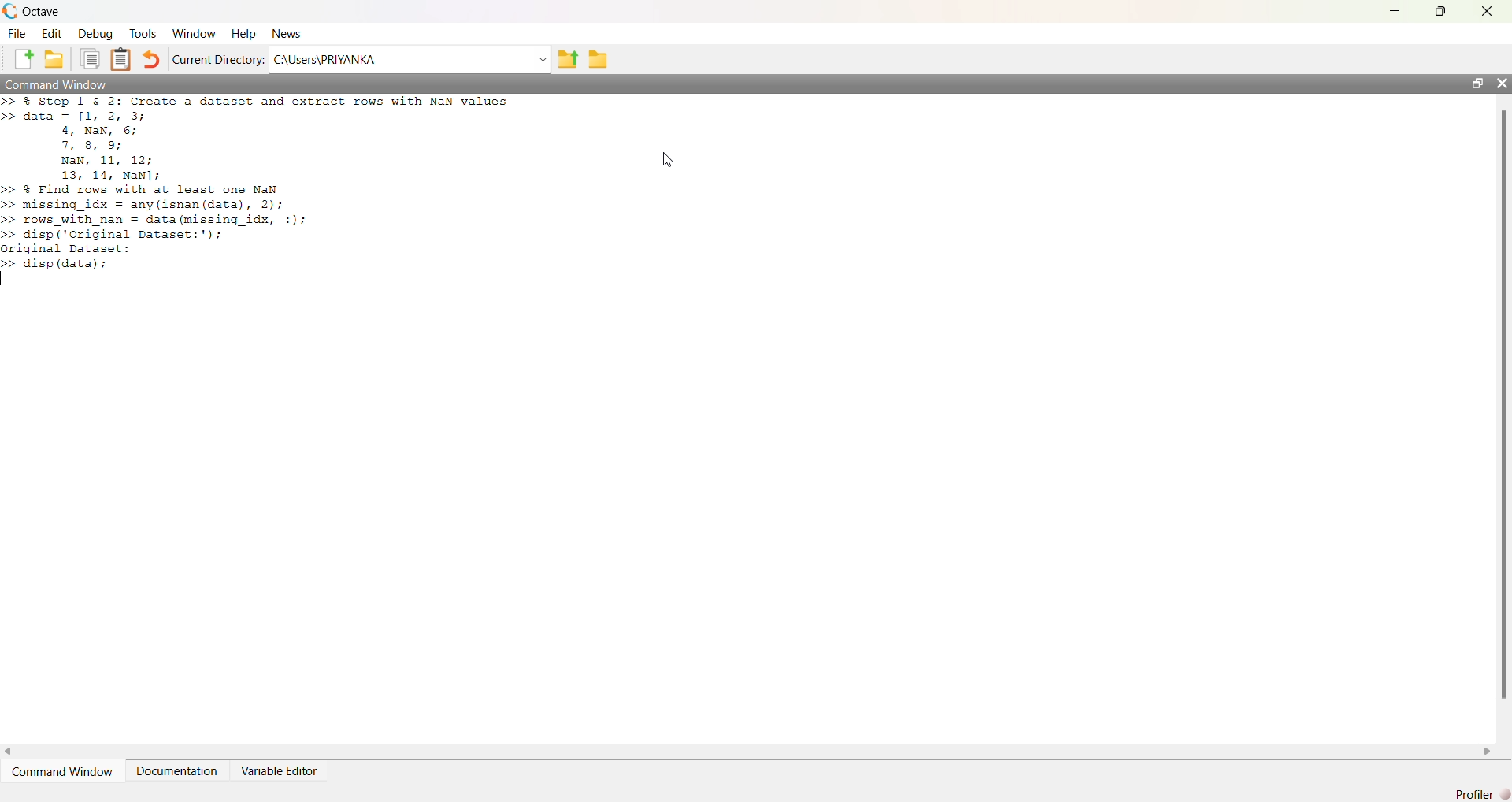  Describe the element at coordinates (1488, 12) in the screenshot. I see `close` at that location.